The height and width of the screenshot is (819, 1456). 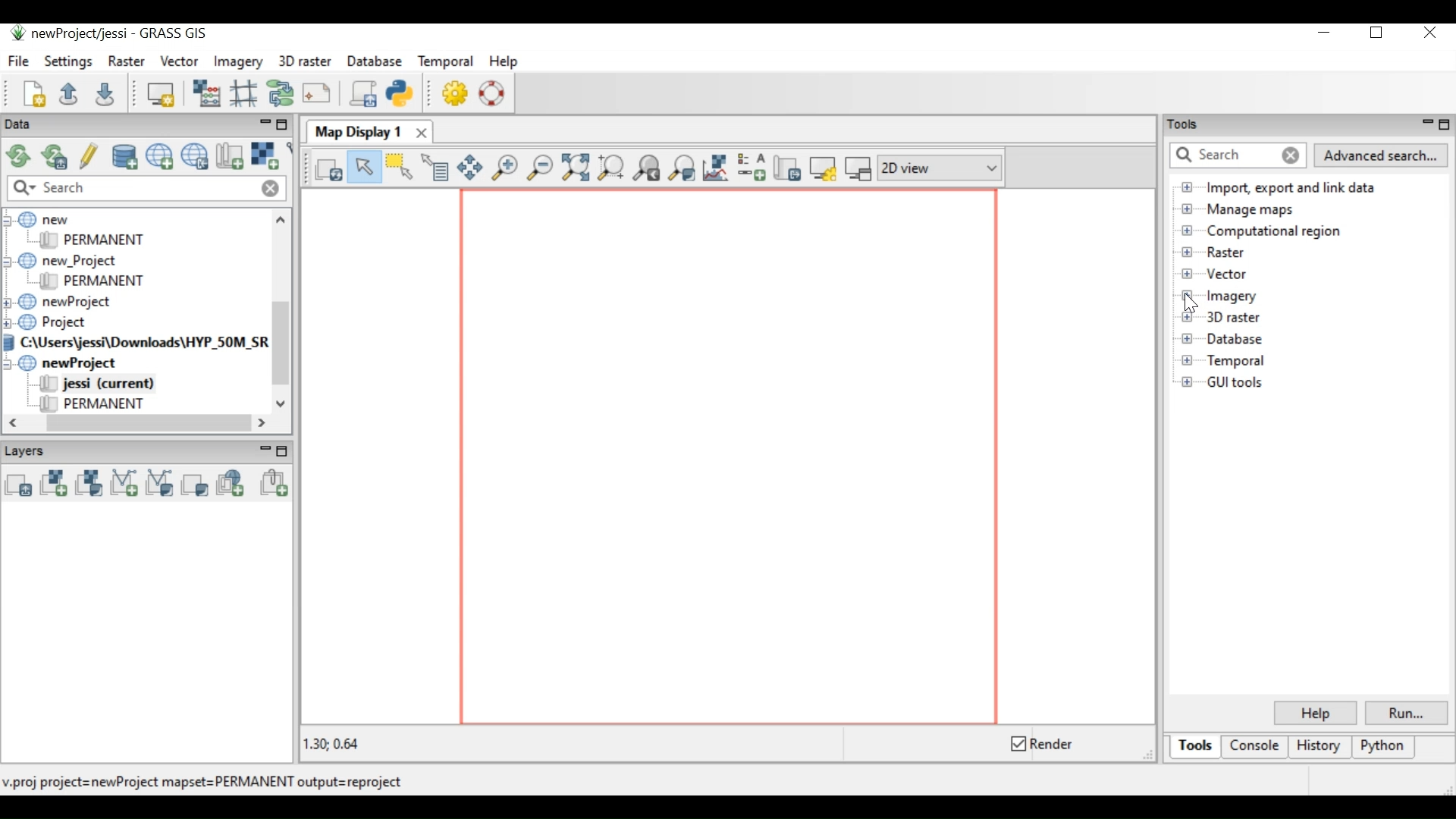 I want to click on C:\Users\jessi\Downloads\HYP_50M_SR, so click(x=143, y=341).